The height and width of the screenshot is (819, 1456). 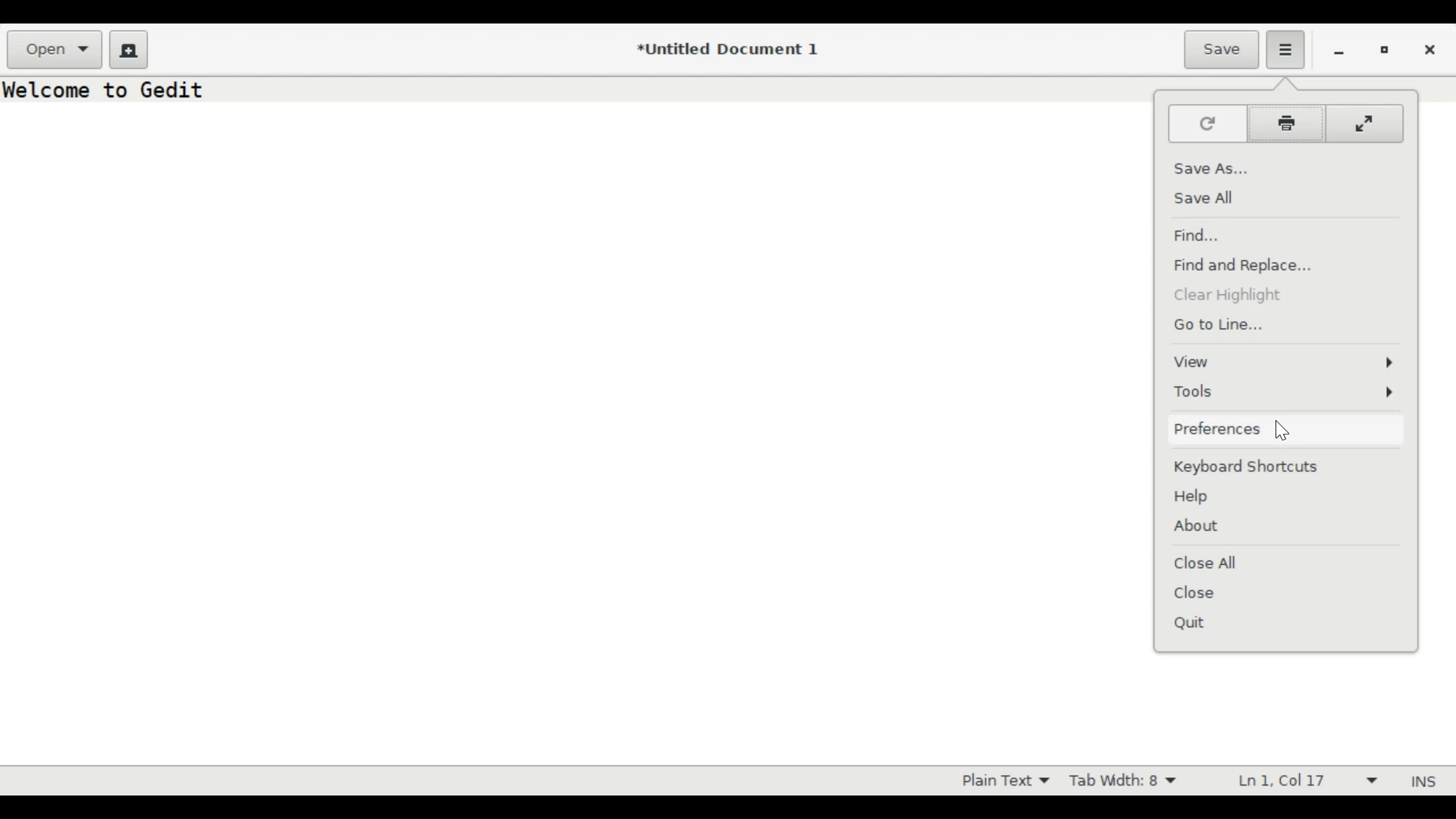 I want to click on Save, so click(x=1221, y=50).